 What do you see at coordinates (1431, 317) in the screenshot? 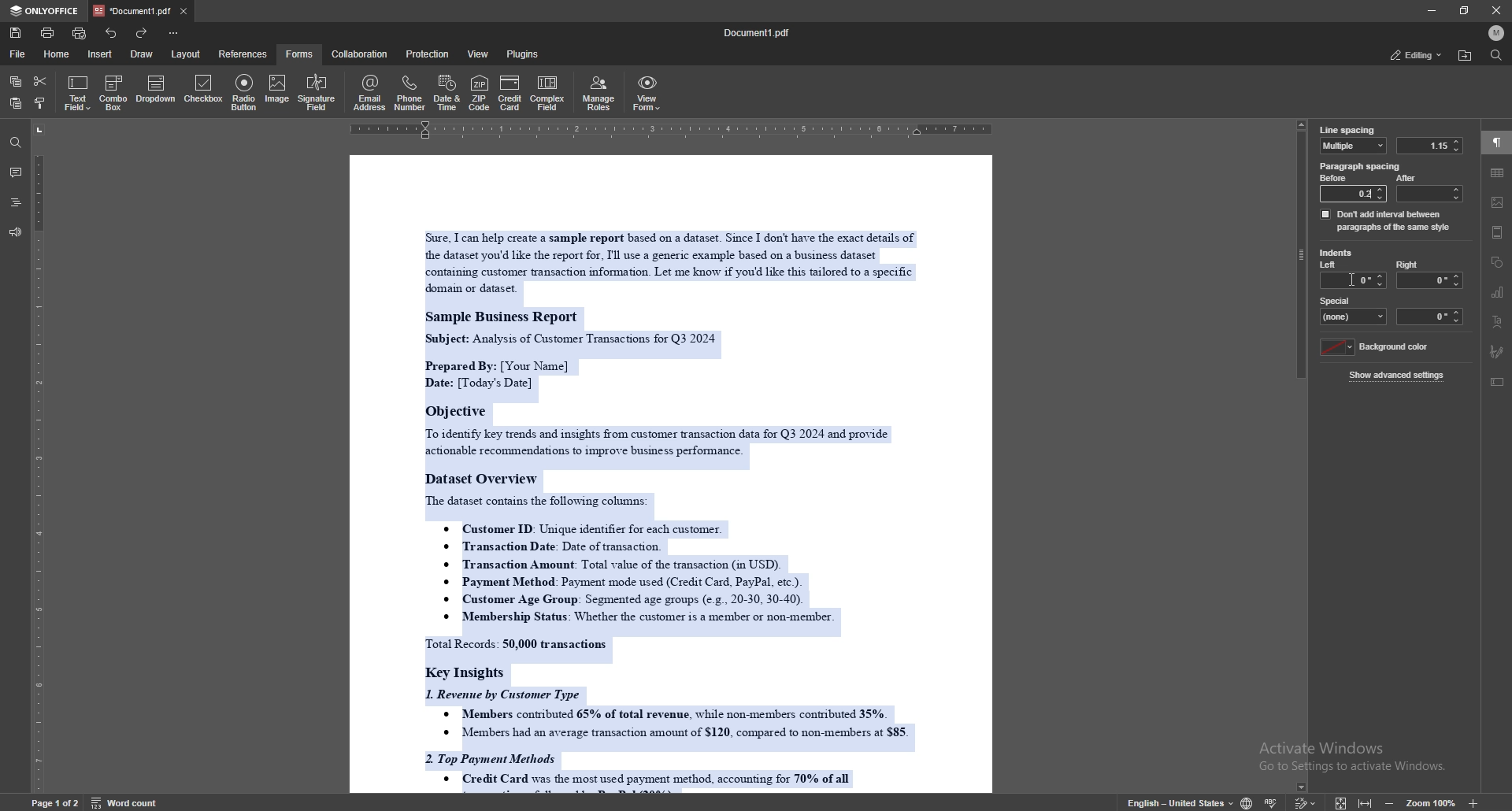
I see `indent space` at bounding box center [1431, 317].